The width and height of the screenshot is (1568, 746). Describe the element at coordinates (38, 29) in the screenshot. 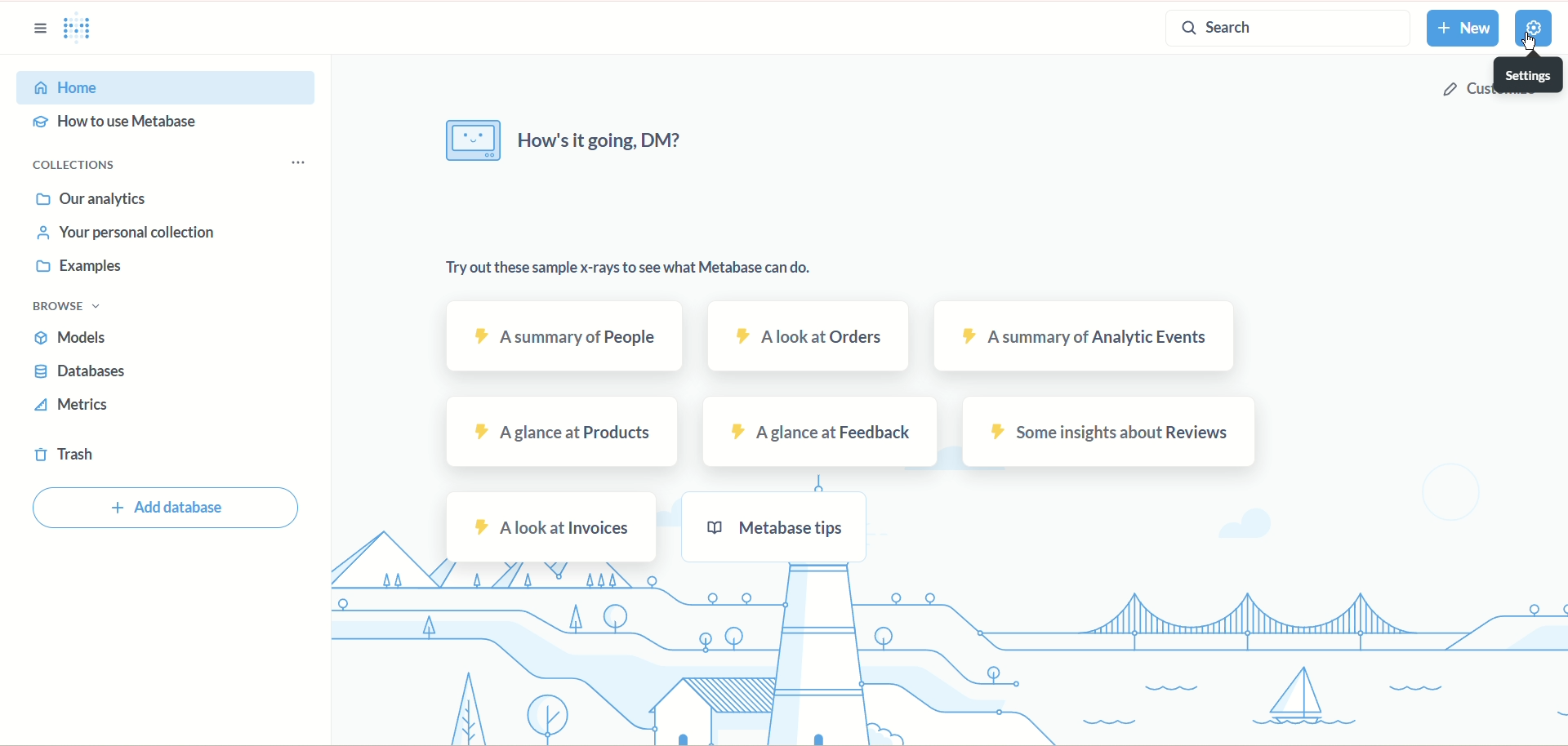

I see `sidebar` at that location.